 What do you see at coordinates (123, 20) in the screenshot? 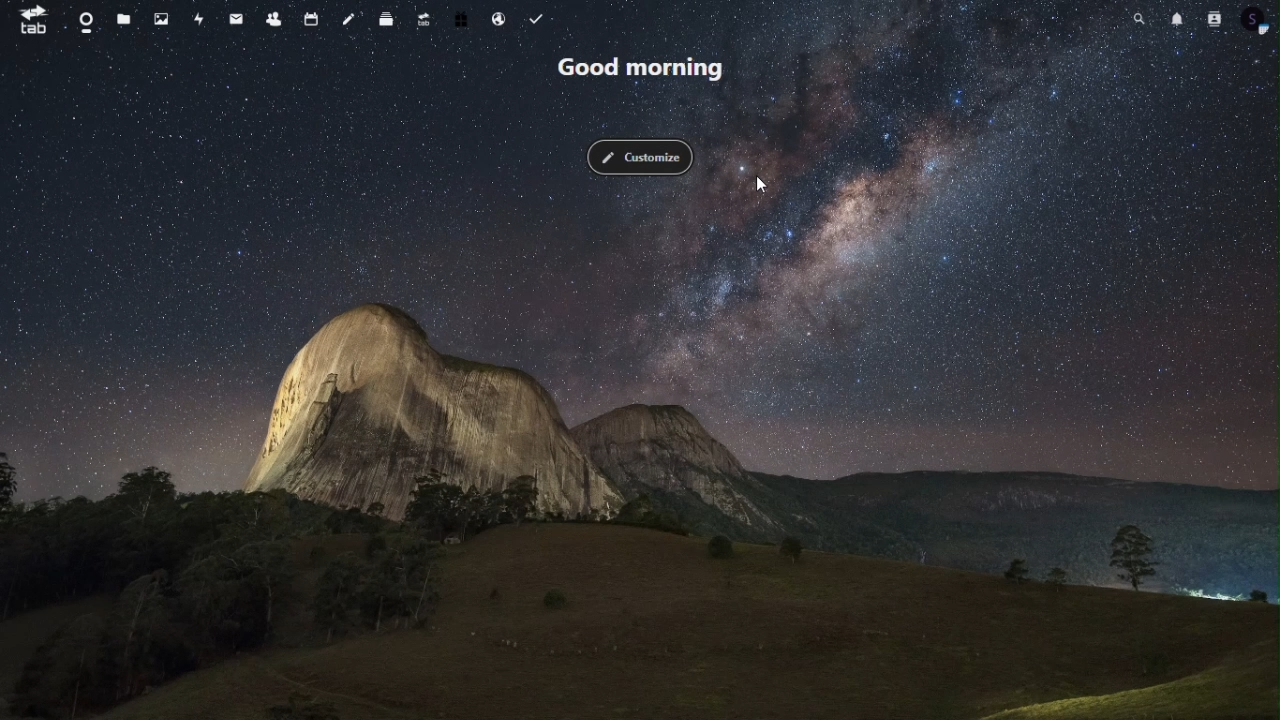
I see `files` at bounding box center [123, 20].